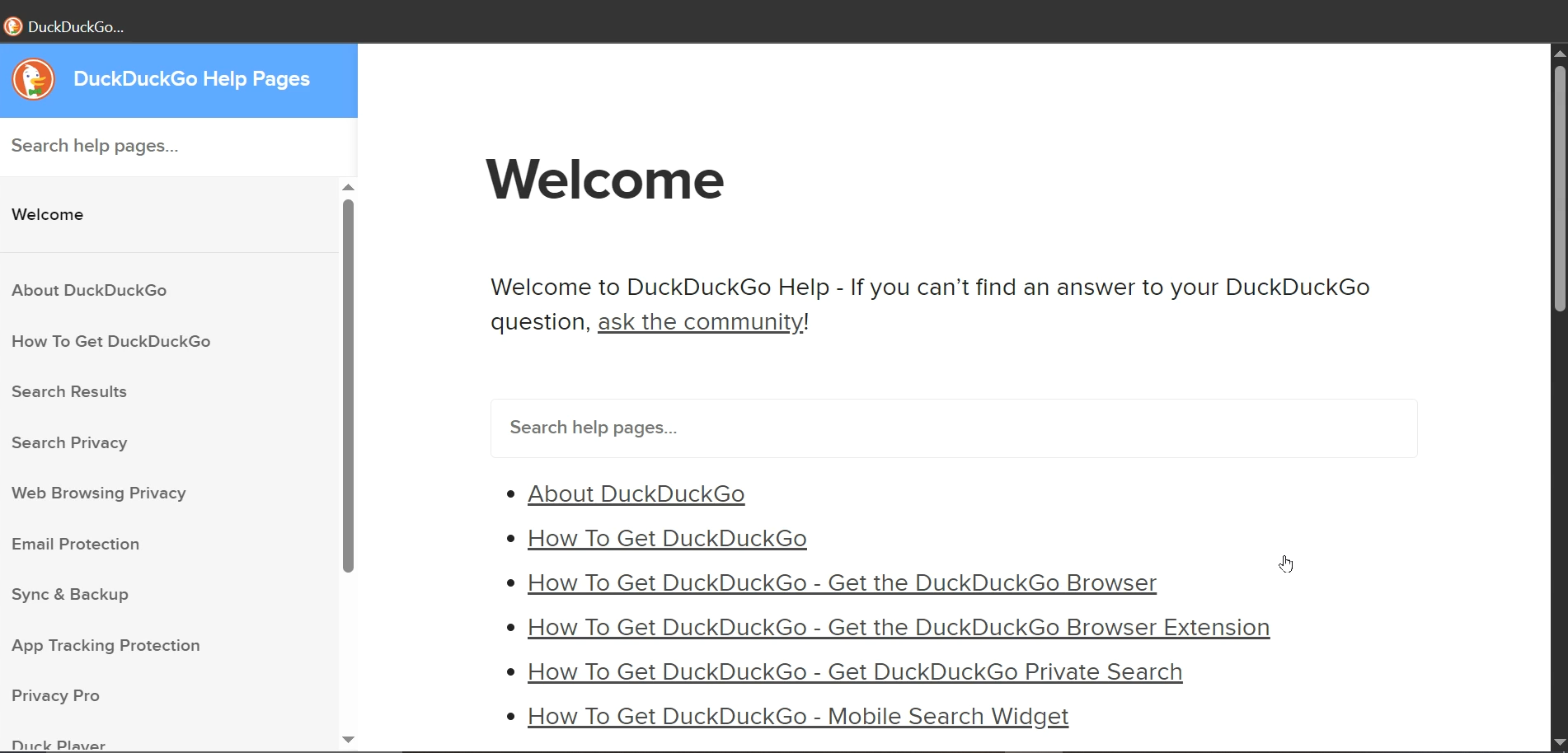  I want to click on Web Browsing Privacy, so click(101, 495).